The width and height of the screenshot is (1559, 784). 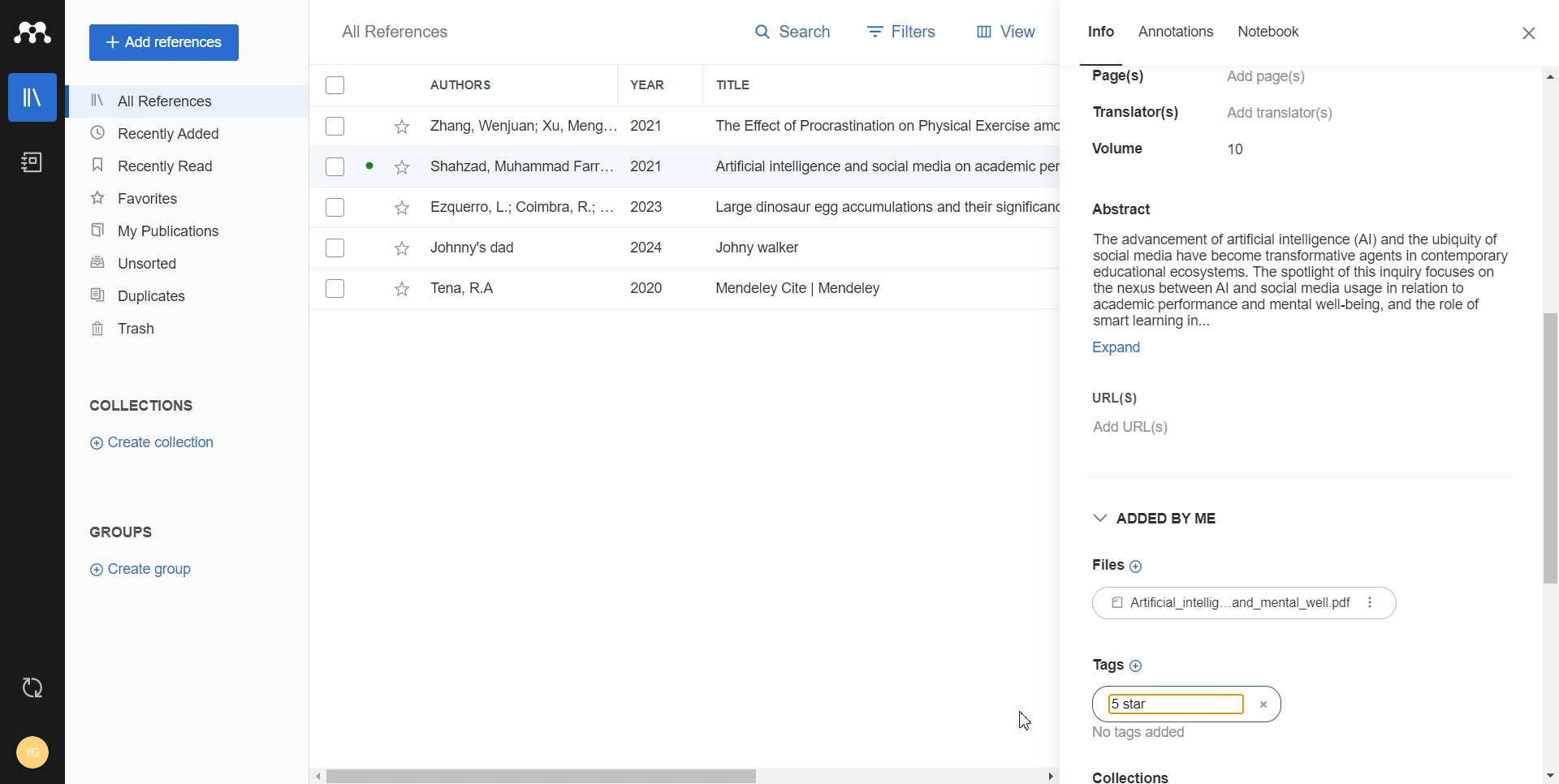 I want to click on Abstract

The advancement of artificial intelligence (Al) and the ubiquity of
social media have become transformative agents in contemporary
educational ecosystems. The spotlight of this inquiry focuses on
the nexus between Al and social media usage in relation to
academic performance and mental well-being, and the role of
smart learning in...

Expand, so click(x=1299, y=278).